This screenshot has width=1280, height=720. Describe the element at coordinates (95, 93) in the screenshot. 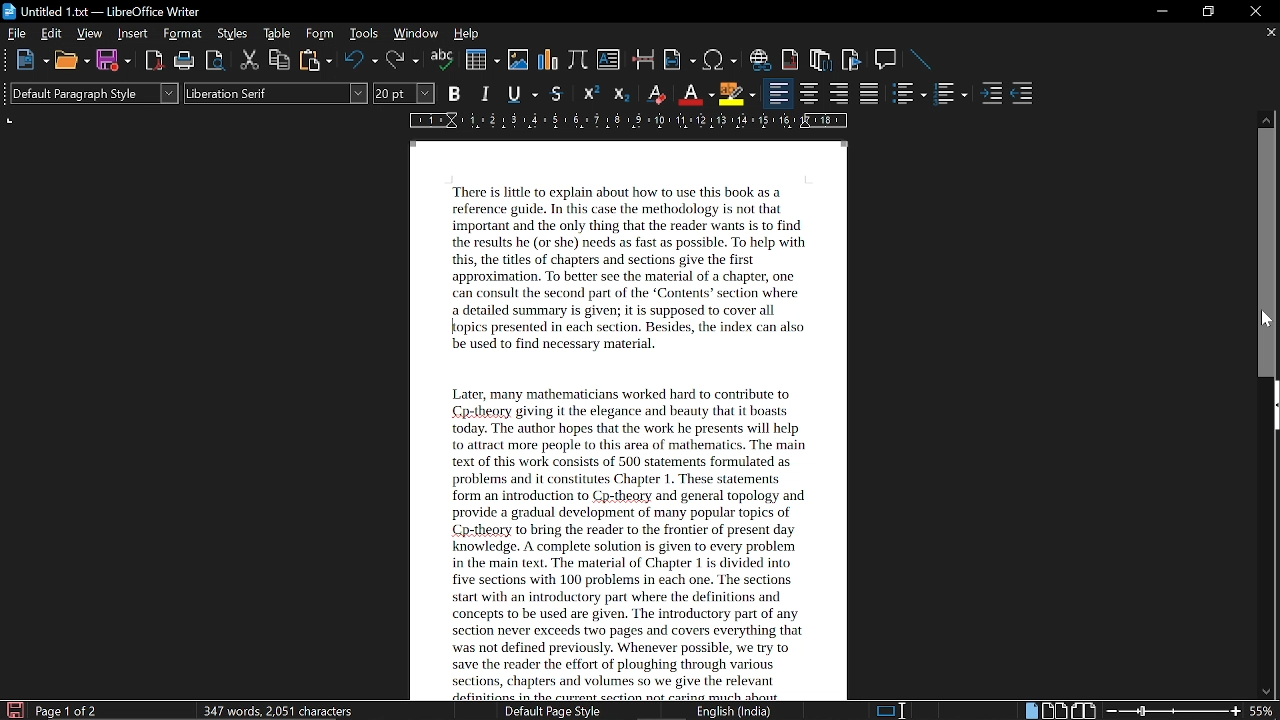

I see `paragraph style` at that location.